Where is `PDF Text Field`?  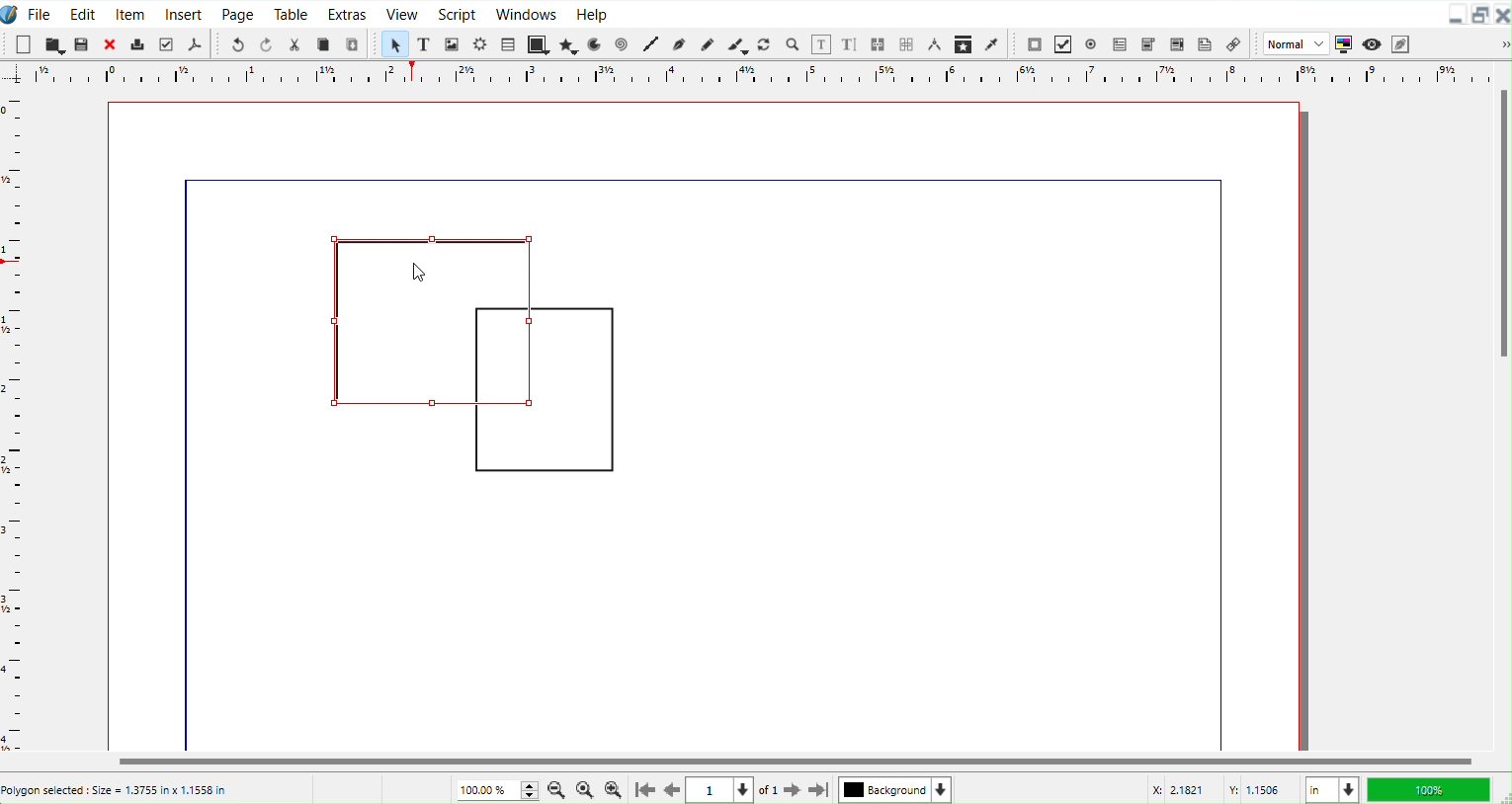 PDF Text Field is located at coordinates (1120, 43).